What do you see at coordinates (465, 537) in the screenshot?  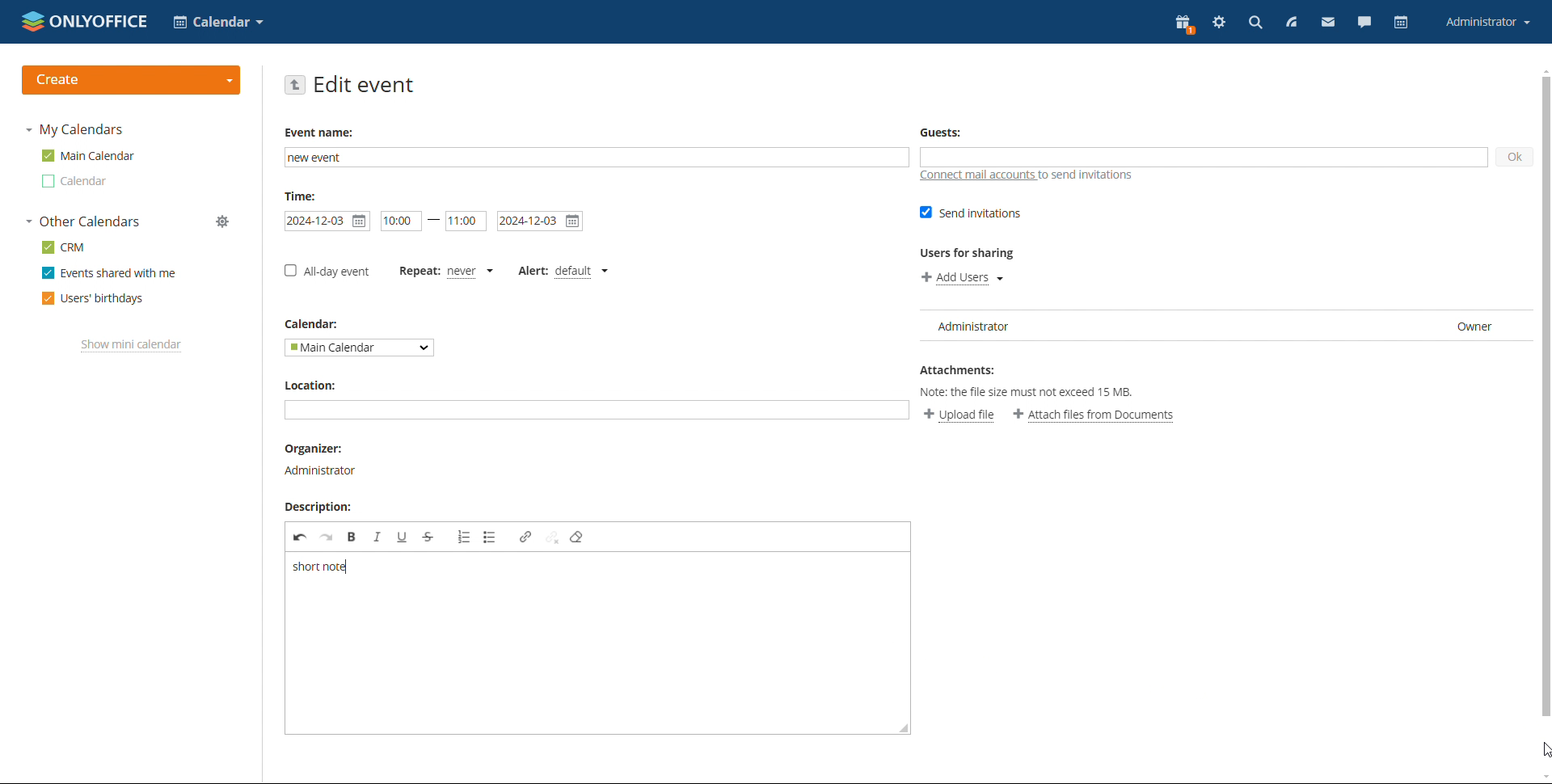 I see `insert/remove bulleted list` at bounding box center [465, 537].